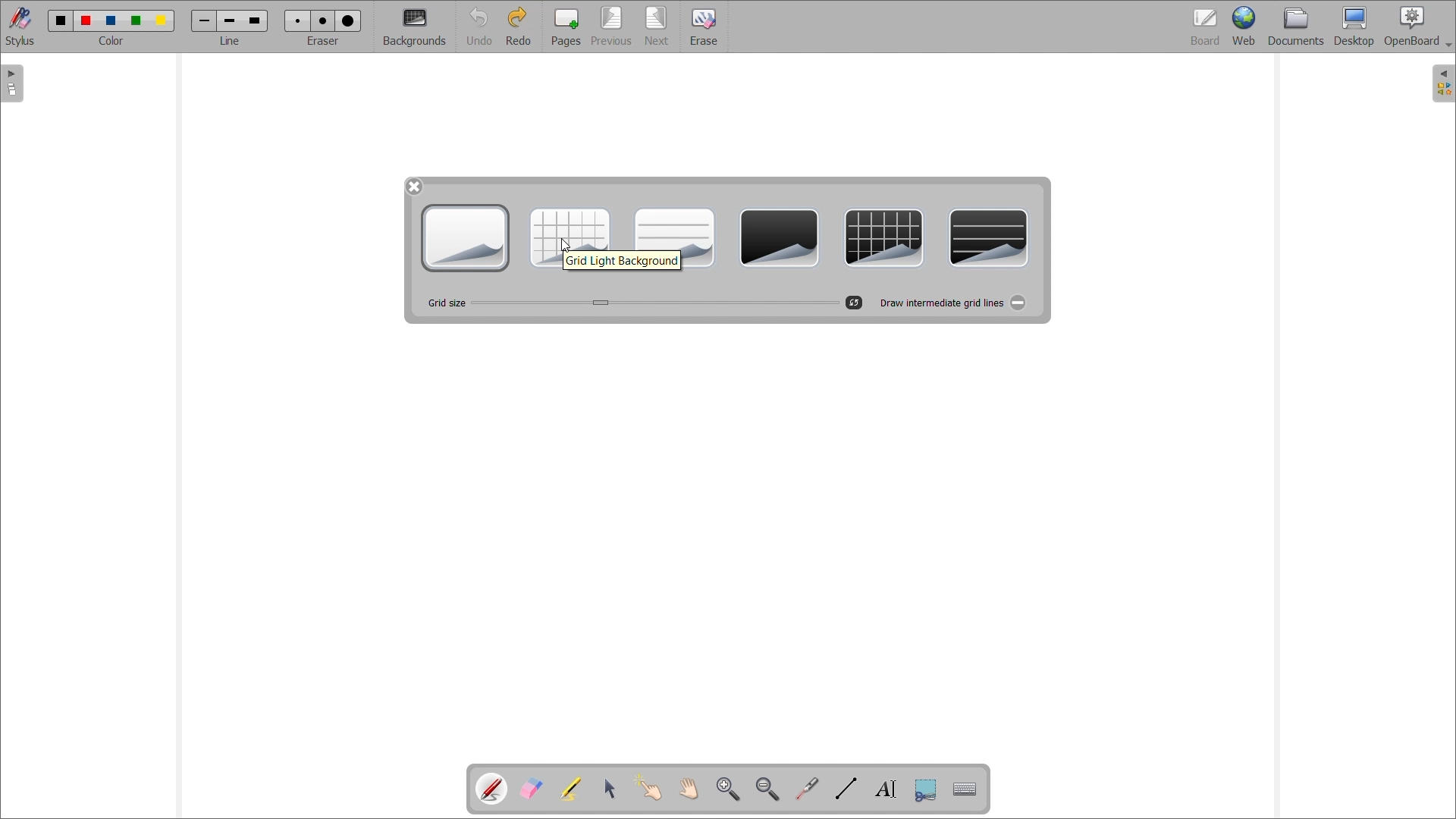 The image size is (1456, 819). I want to click on Close background options, so click(414, 187).